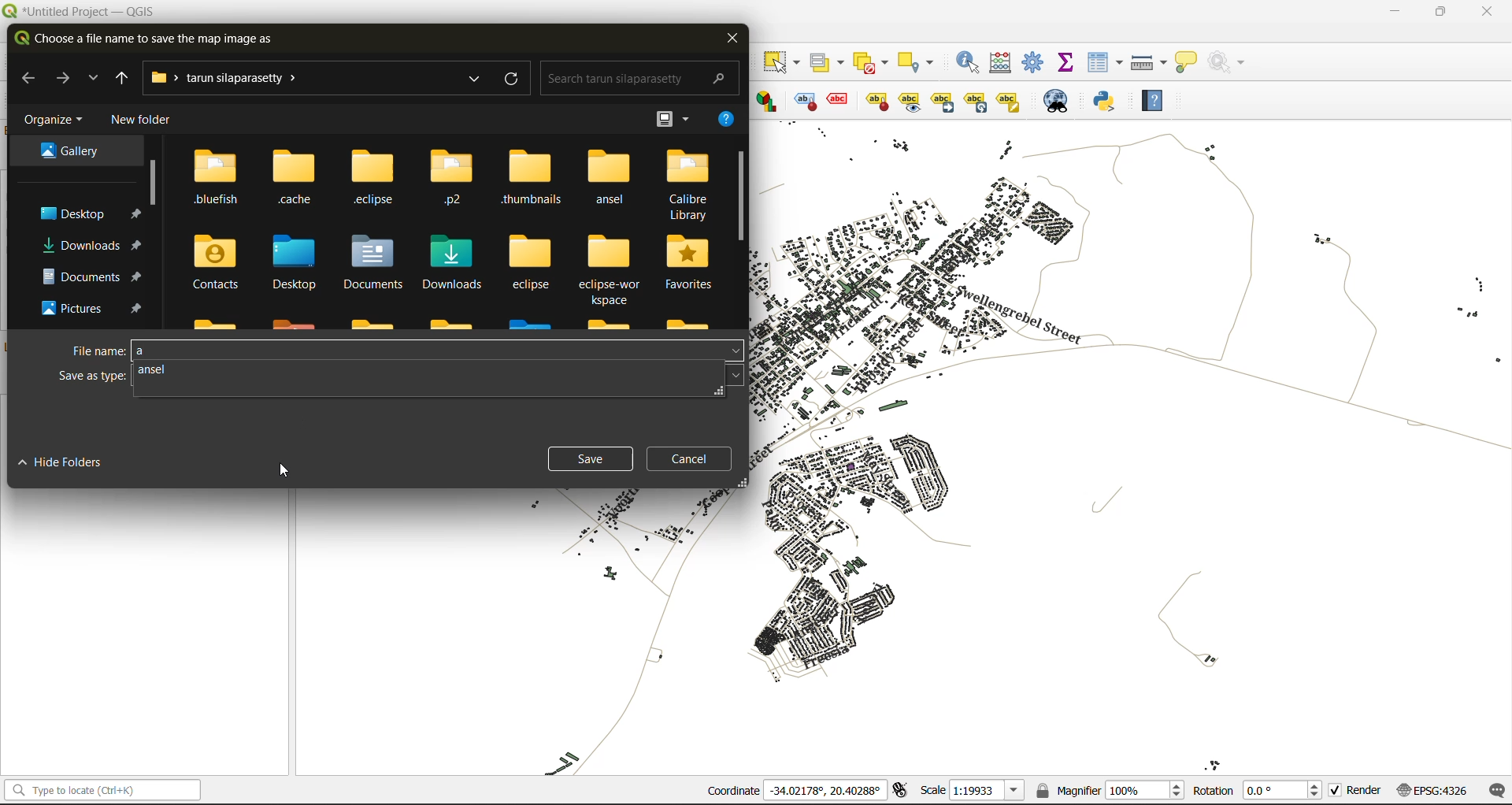 This screenshot has width=1512, height=805. I want to click on pin/unpin lable and diagram, so click(840, 101).